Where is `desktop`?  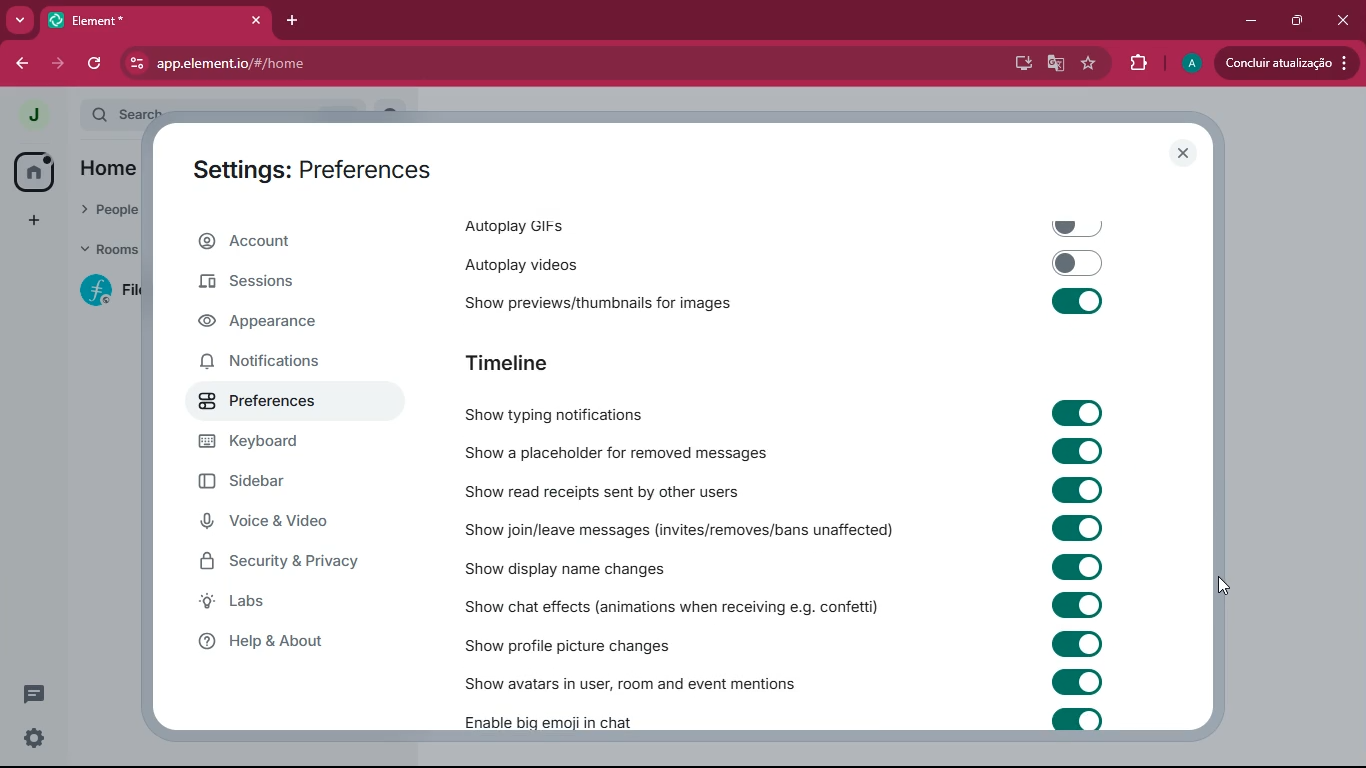 desktop is located at coordinates (1019, 63).